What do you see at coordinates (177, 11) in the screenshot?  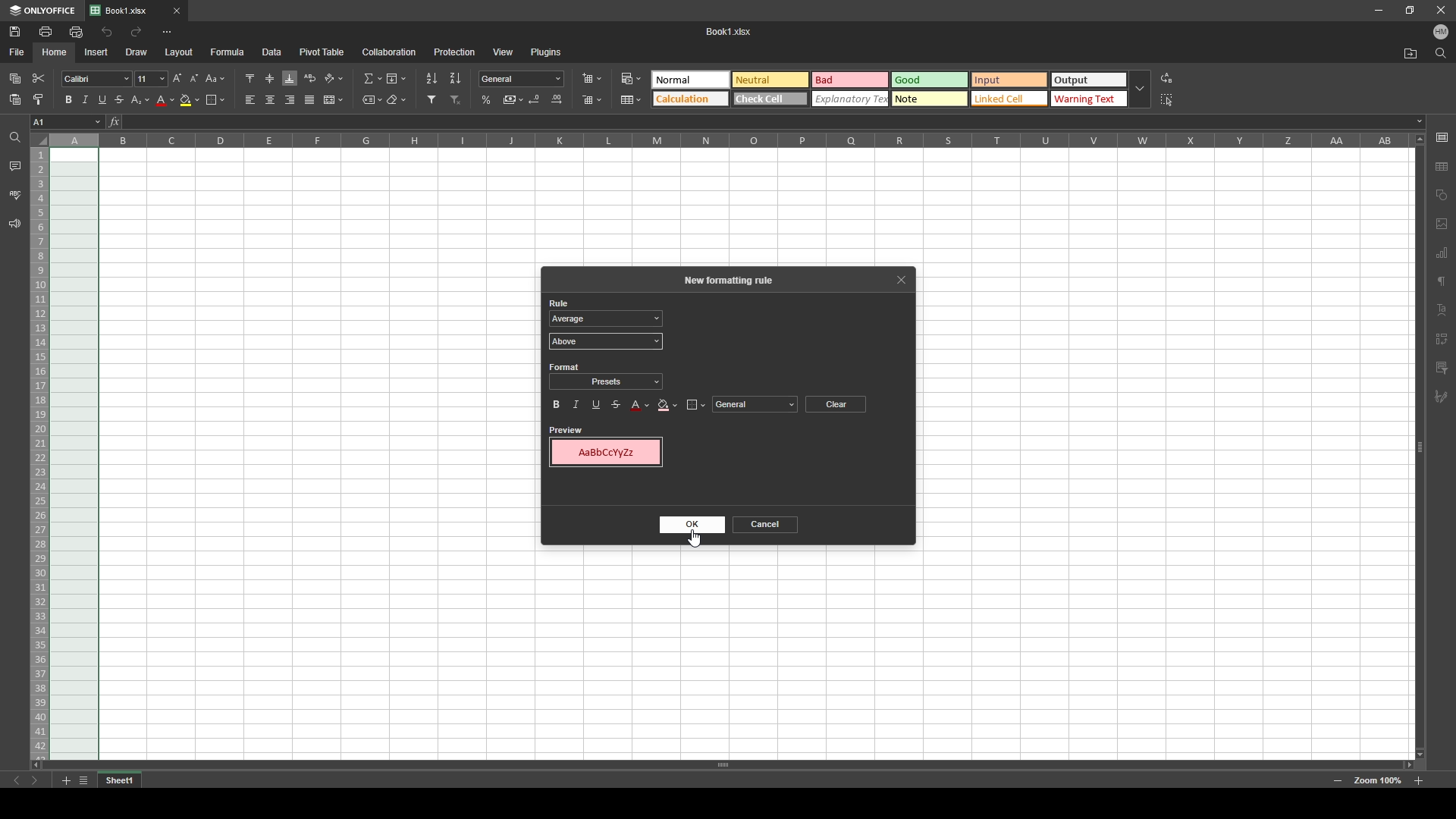 I see `close tab` at bounding box center [177, 11].